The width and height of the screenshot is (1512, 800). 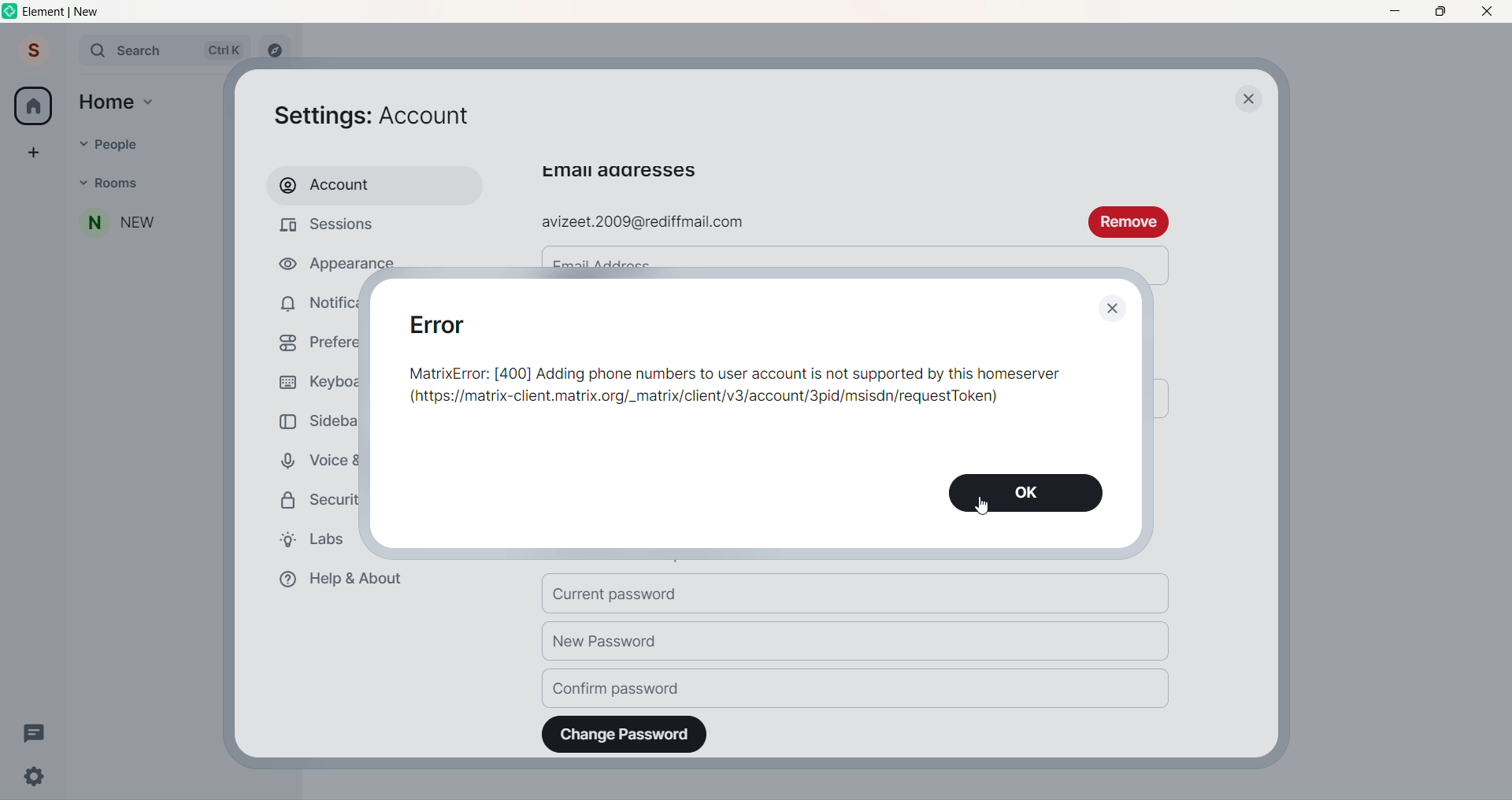 I want to click on Create a space, so click(x=33, y=151).